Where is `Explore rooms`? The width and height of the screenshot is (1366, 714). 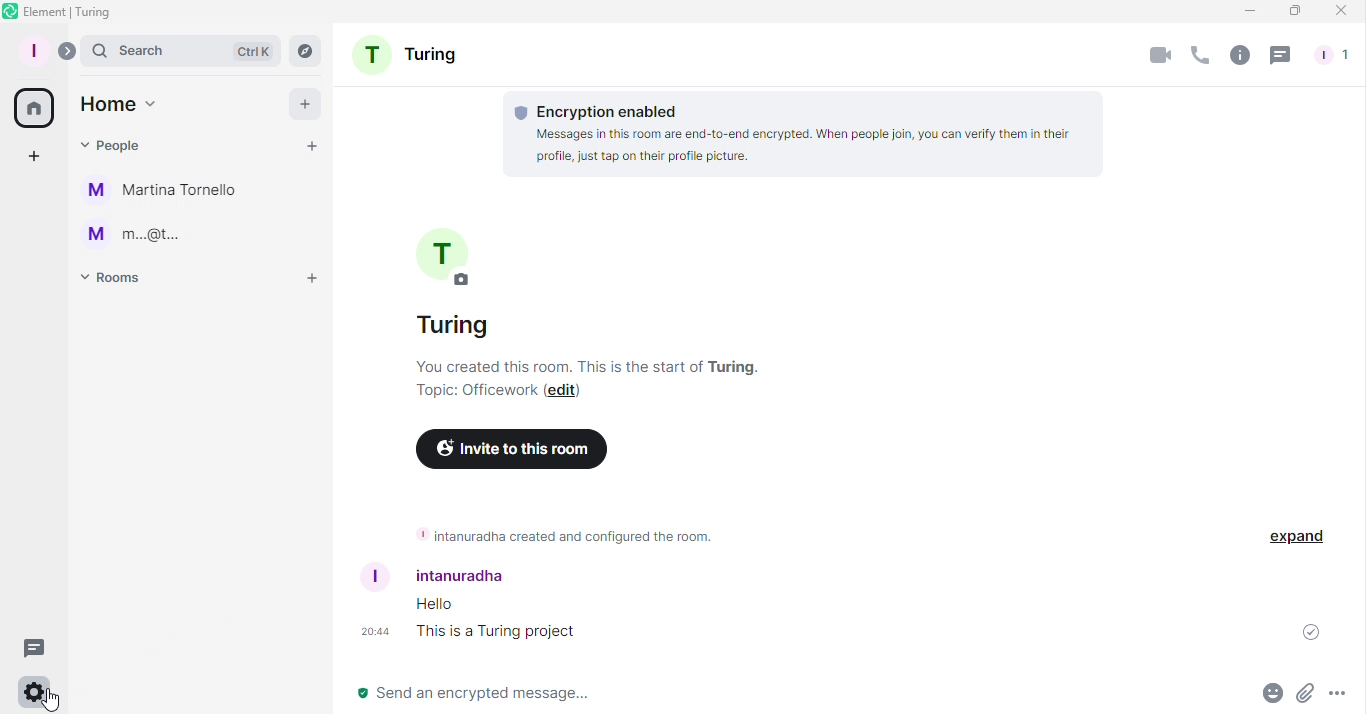
Explore rooms is located at coordinates (302, 52).